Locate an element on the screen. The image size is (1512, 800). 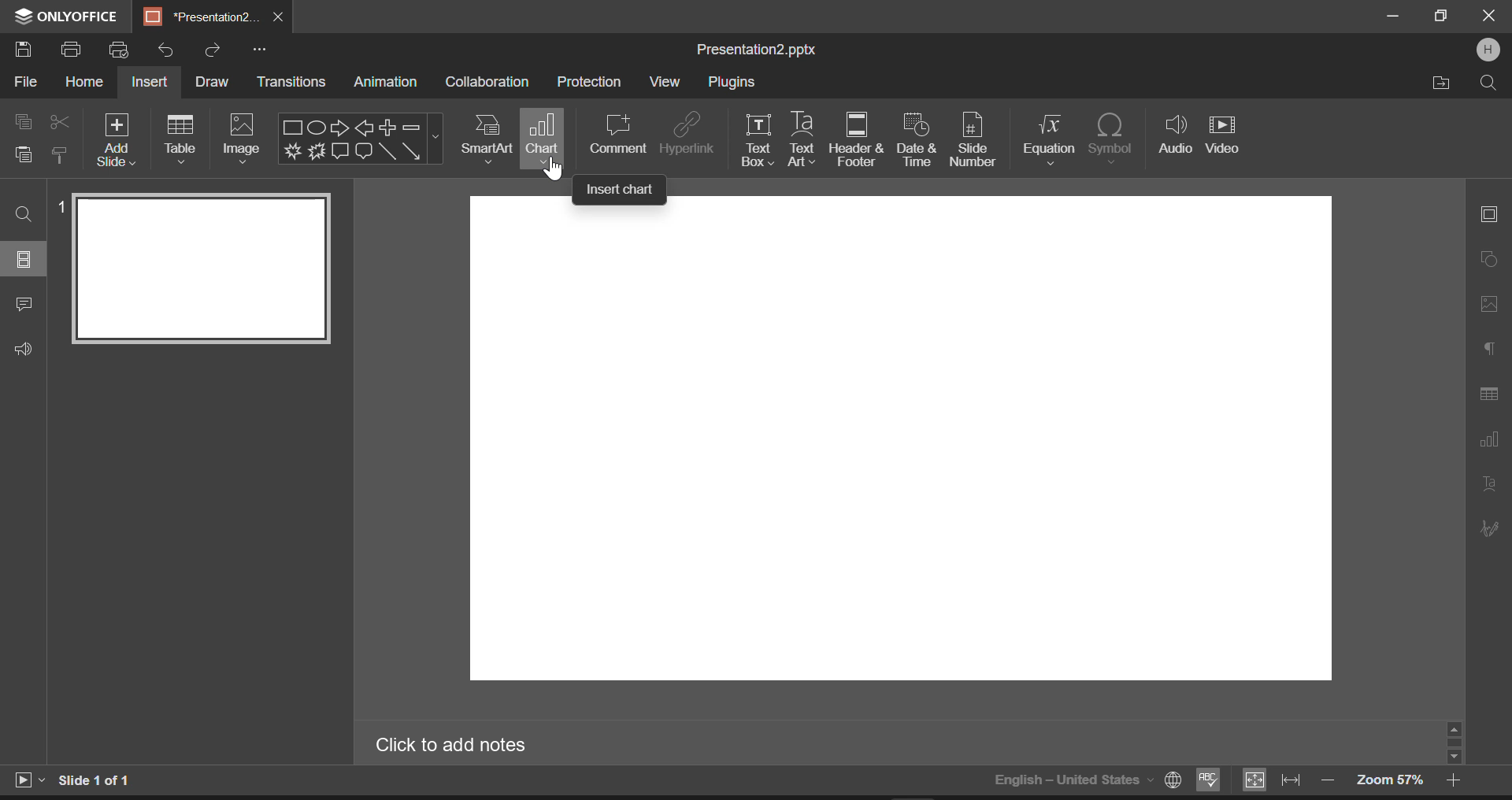
Text Art is located at coordinates (800, 139).